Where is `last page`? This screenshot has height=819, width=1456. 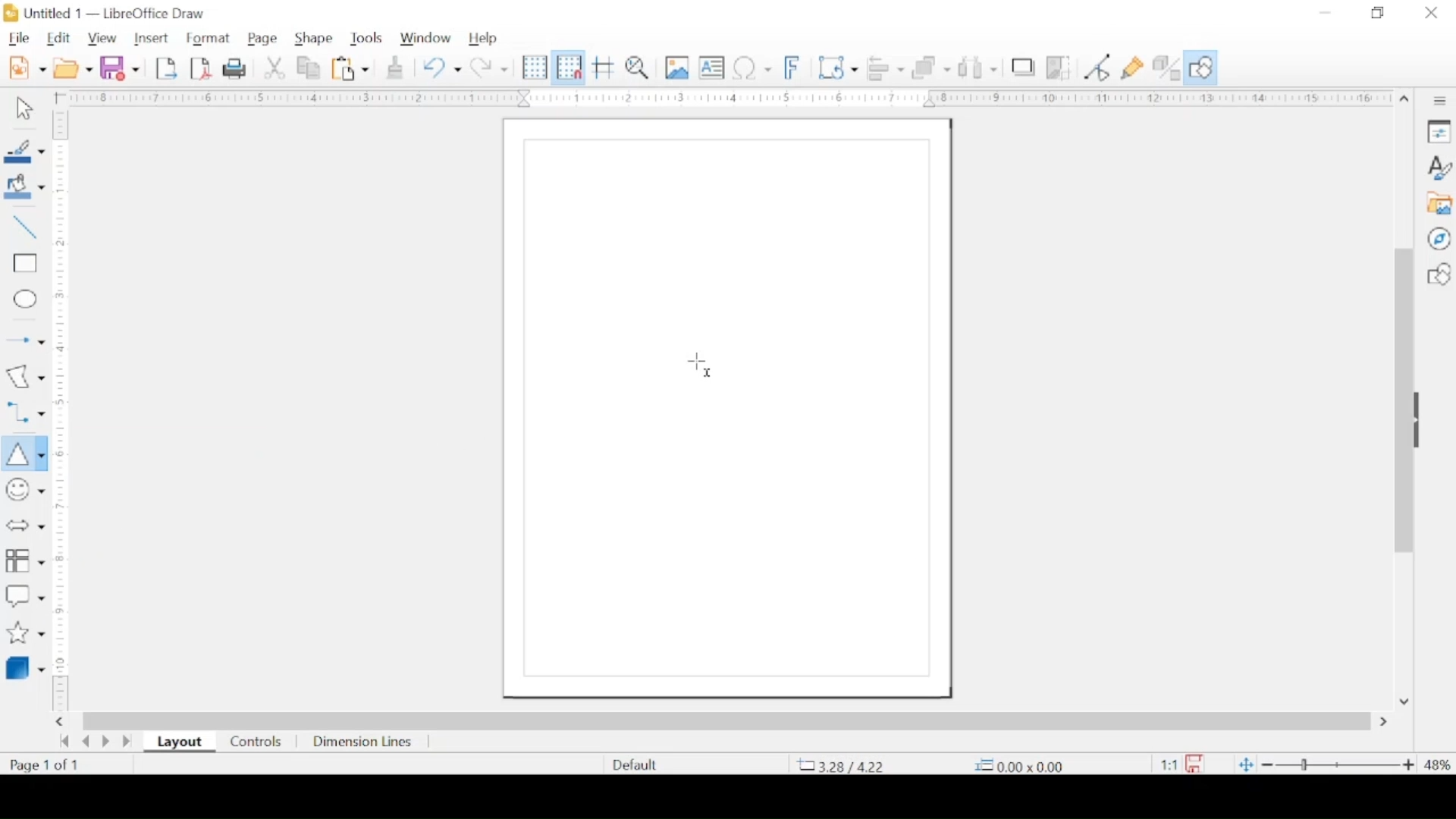 last page is located at coordinates (127, 742).